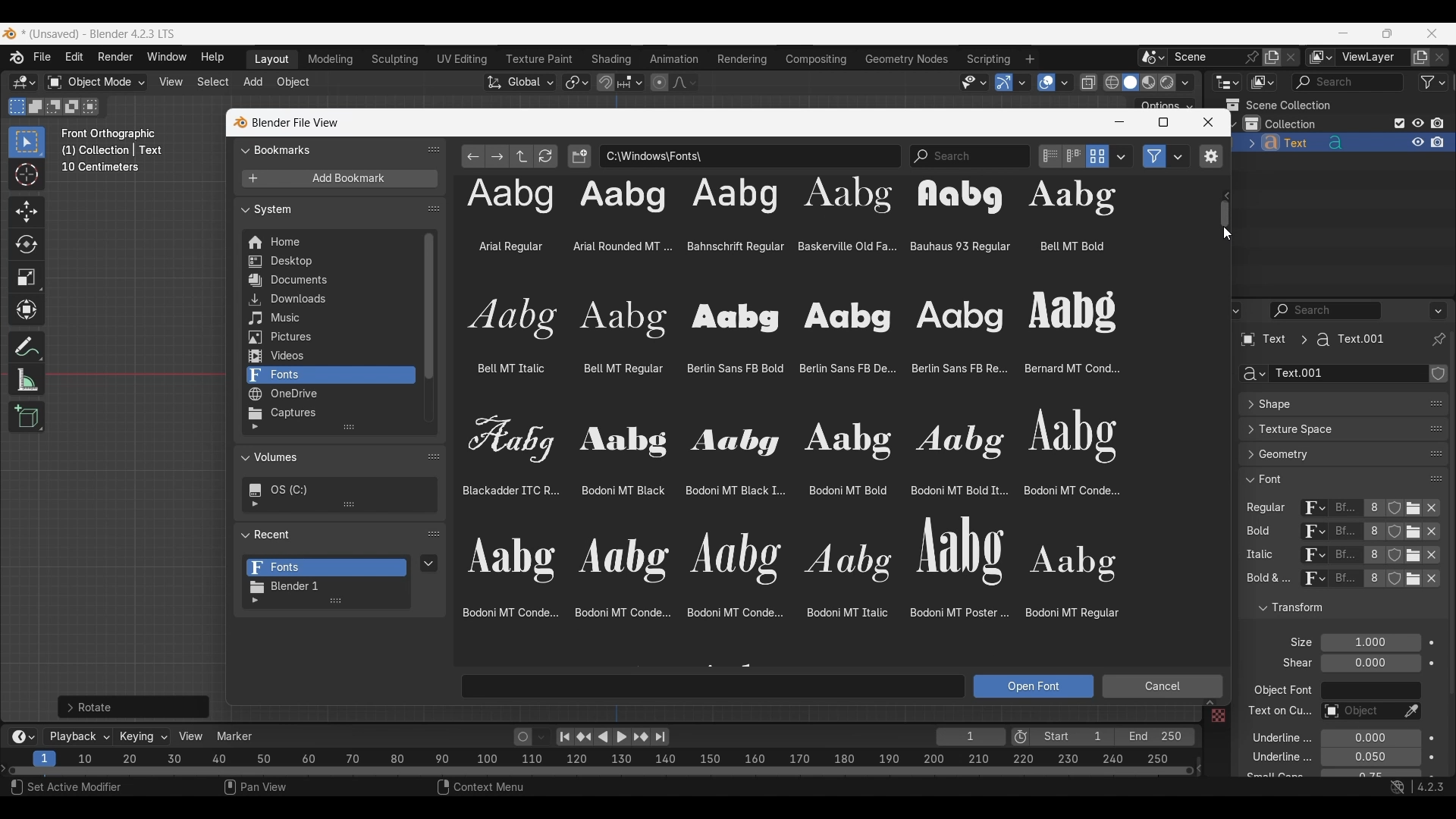 This screenshot has width=1456, height=819. What do you see at coordinates (271, 60) in the screenshot?
I see `Layout workspace, current selection` at bounding box center [271, 60].